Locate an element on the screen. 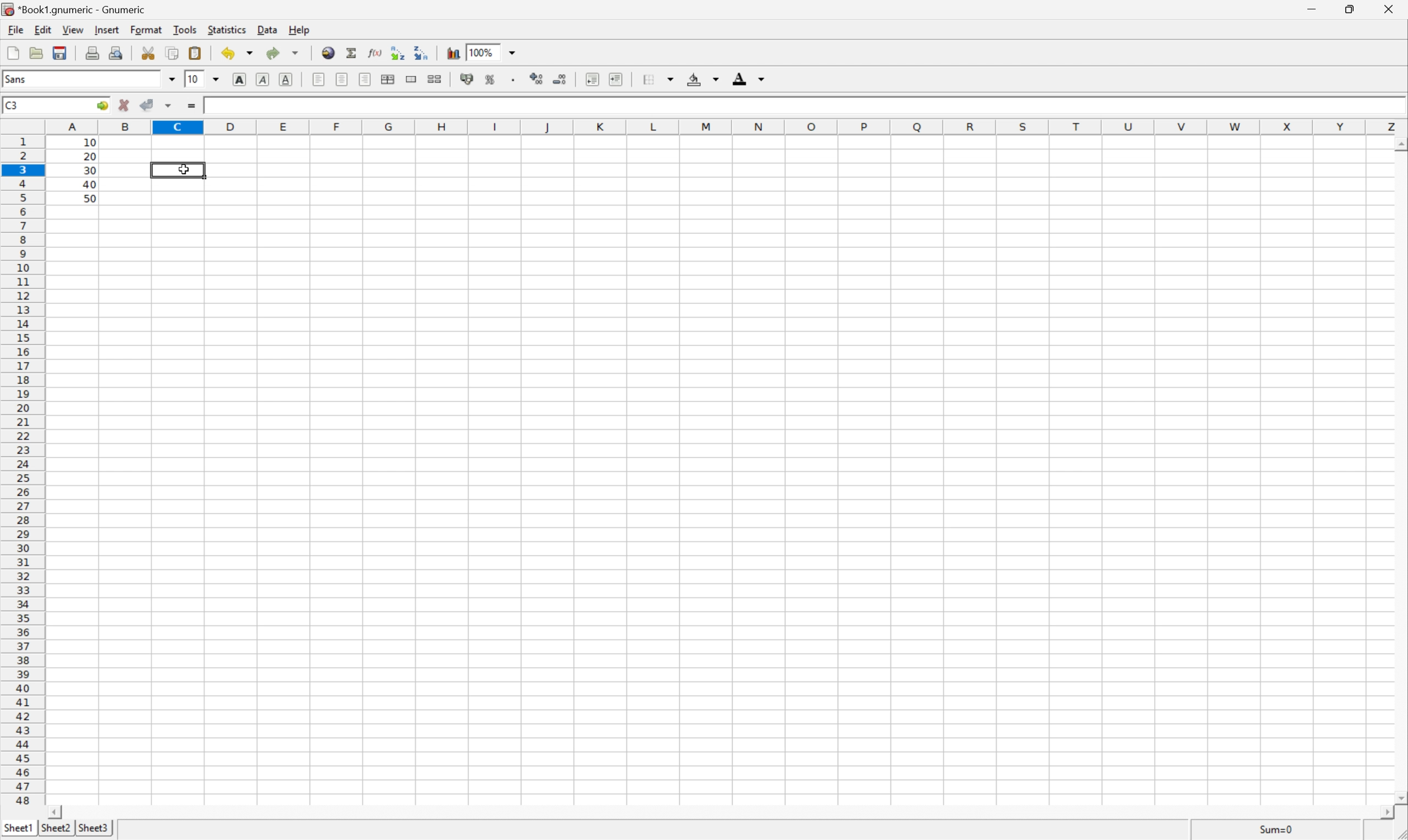 This screenshot has height=840, width=1408. Drop down is located at coordinates (295, 54).